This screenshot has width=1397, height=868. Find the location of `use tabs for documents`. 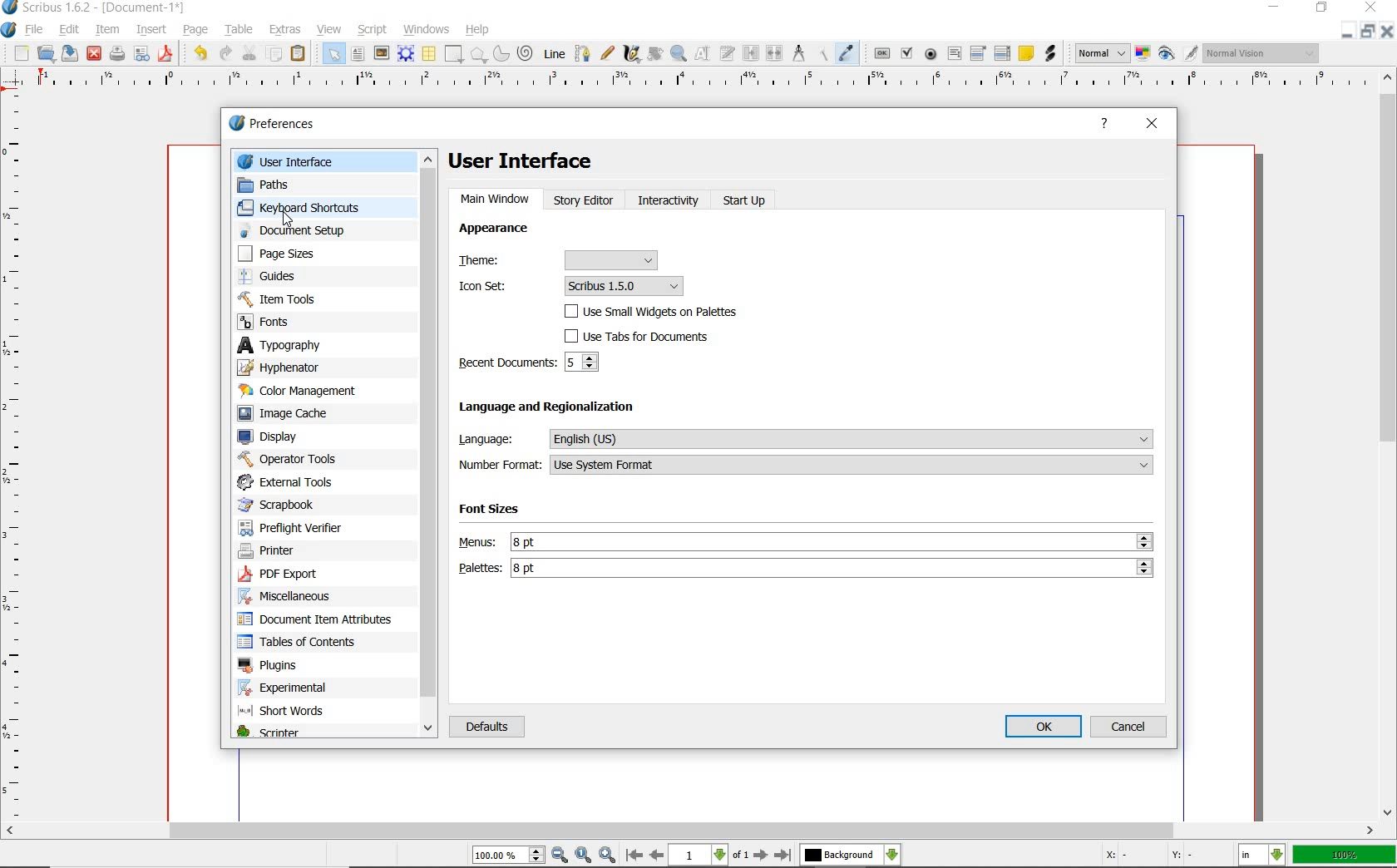

use tabs for documents is located at coordinates (655, 336).